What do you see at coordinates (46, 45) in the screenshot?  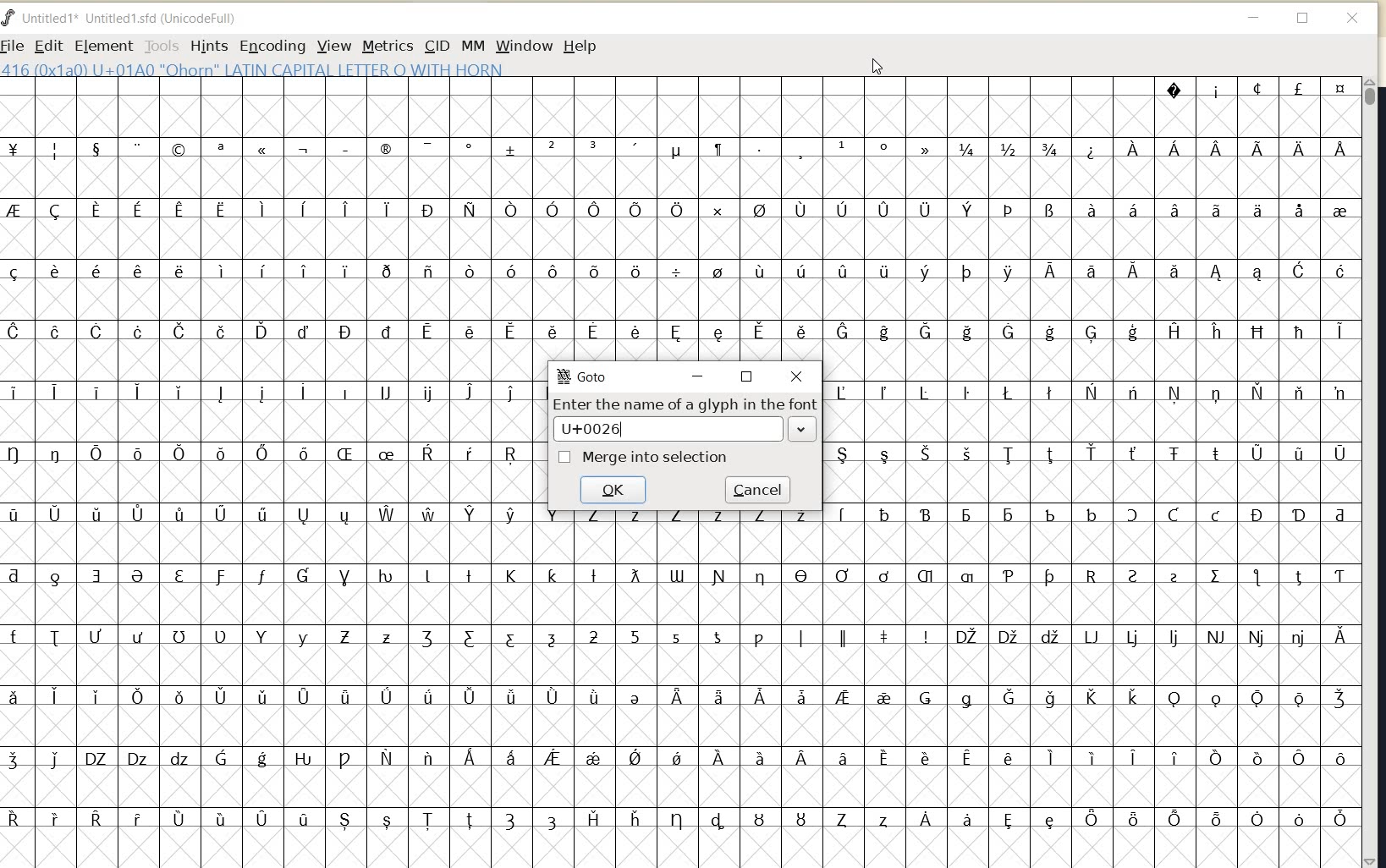 I see `EDIT` at bounding box center [46, 45].